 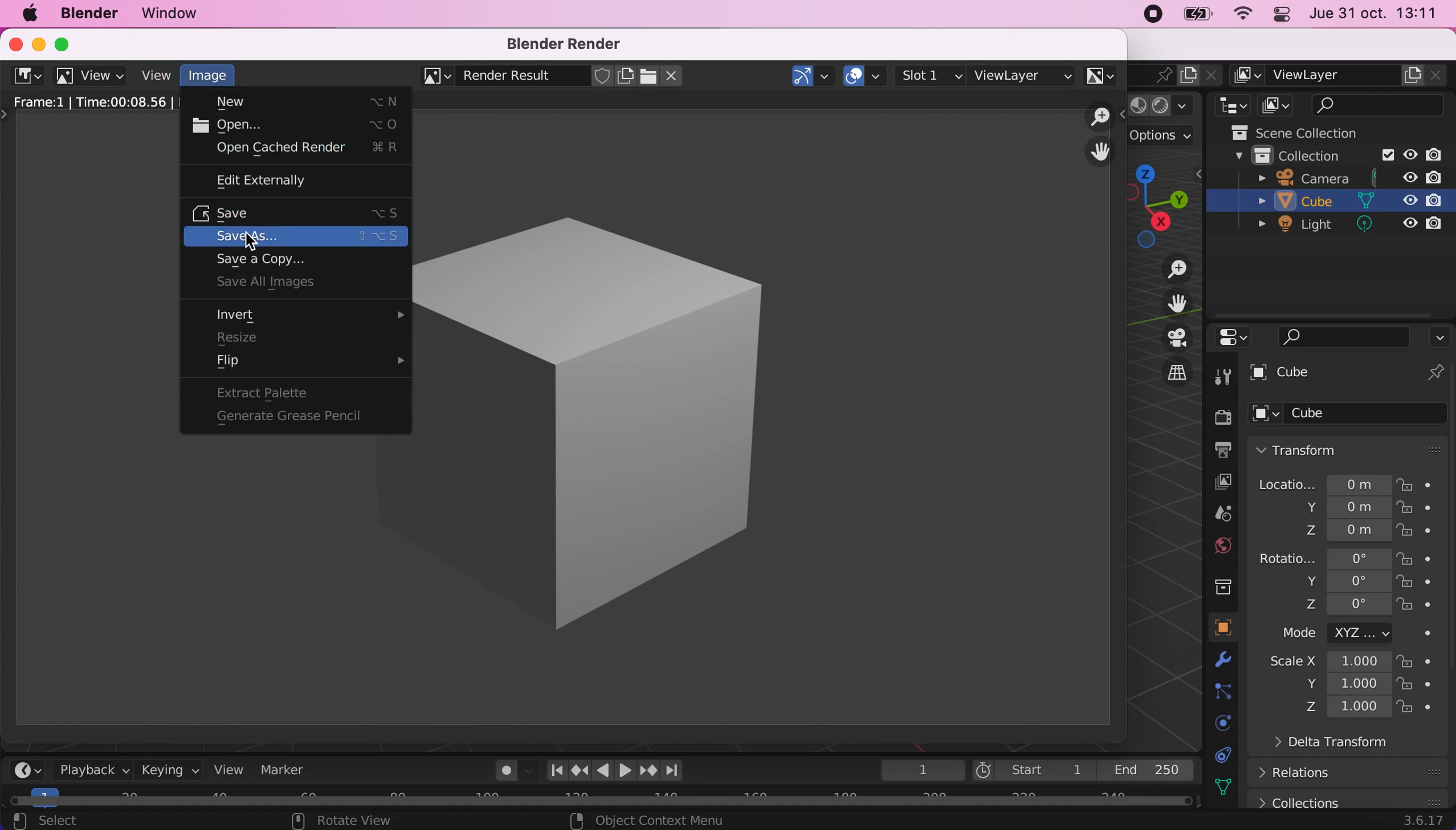 What do you see at coordinates (1229, 105) in the screenshot?
I see `editor type` at bounding box center [1229, 105].